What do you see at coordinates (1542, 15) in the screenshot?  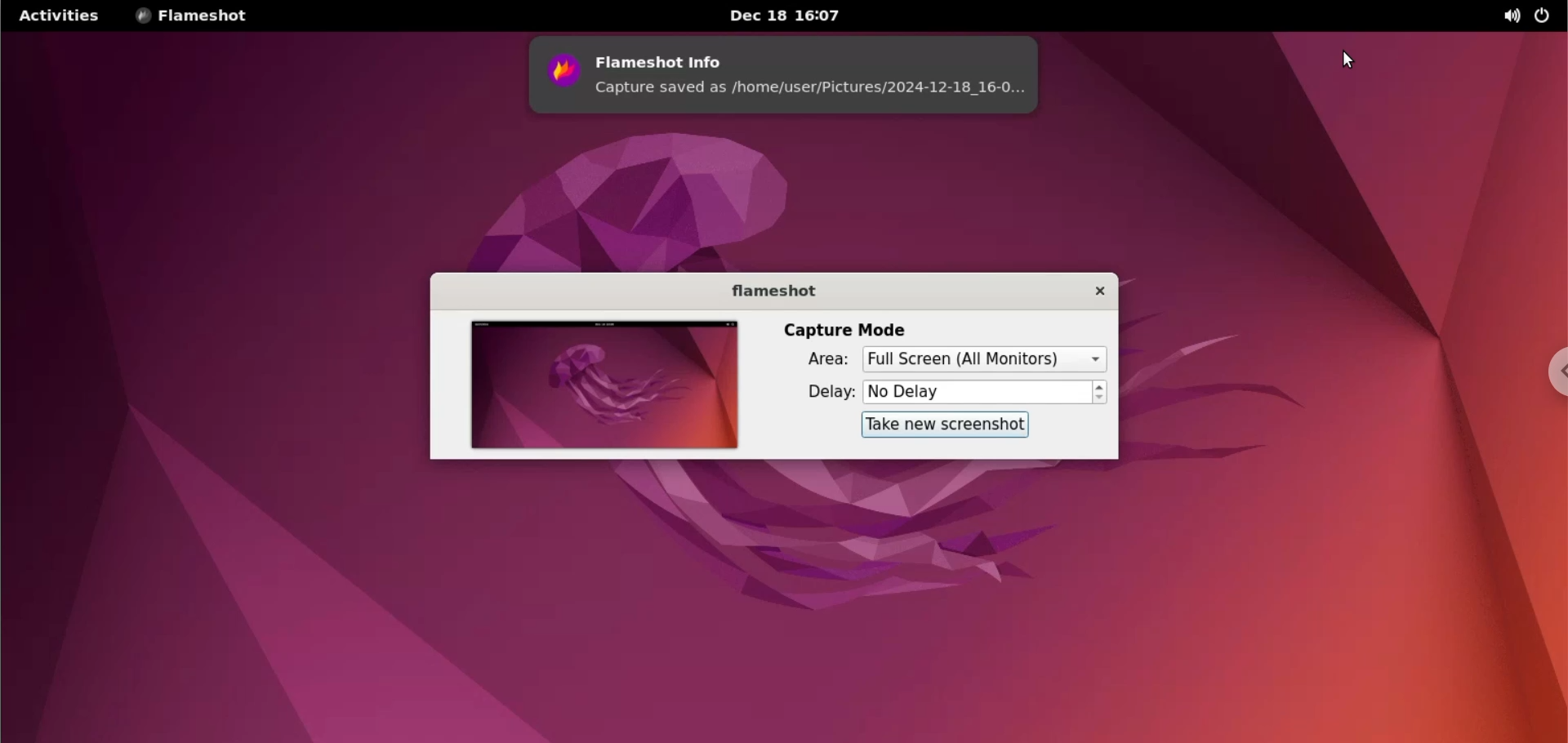 I see `on/off` at bounding box center [1542, 15].